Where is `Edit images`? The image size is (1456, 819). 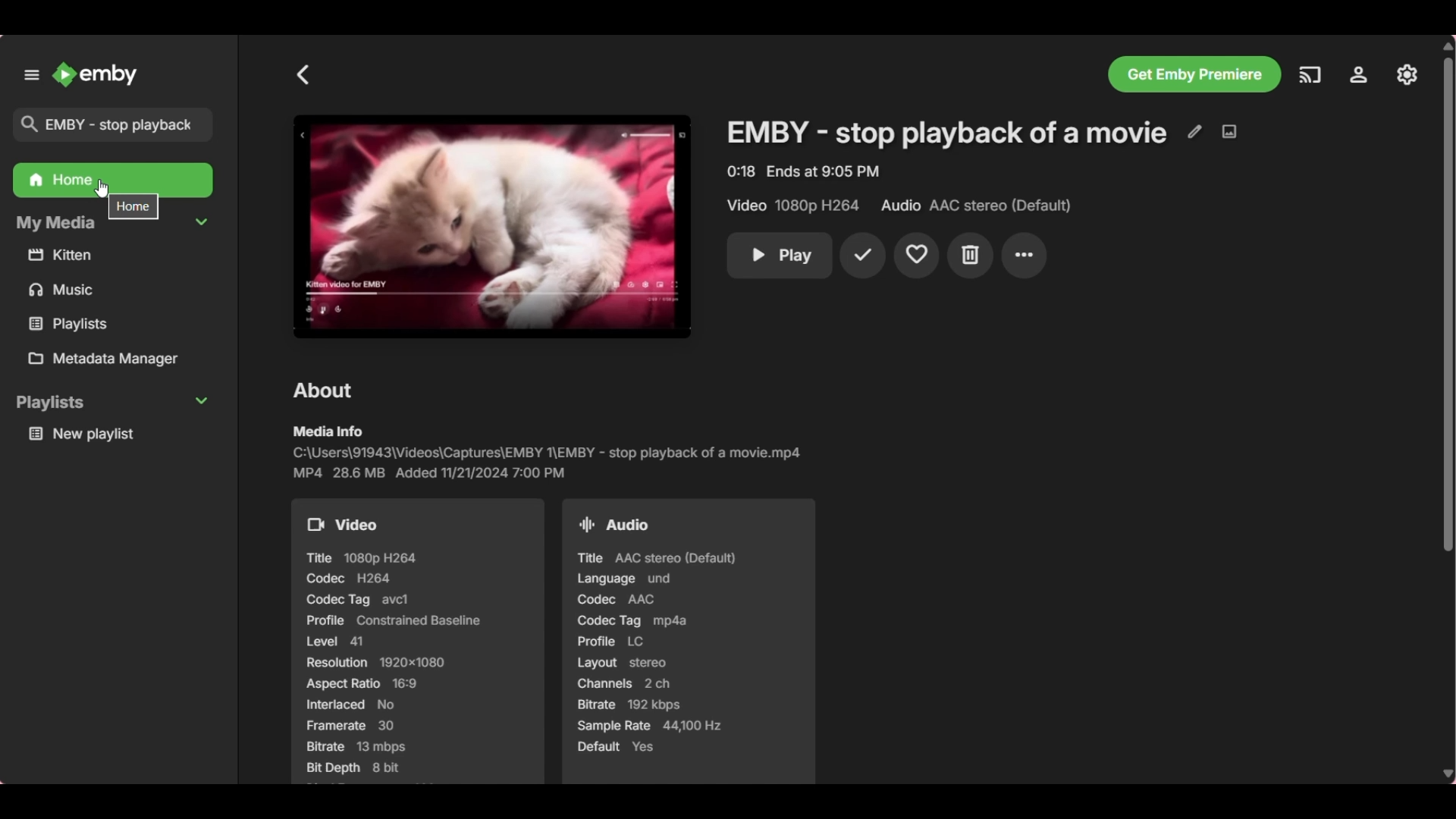
Edit images is located at coordinates (1228, 132).